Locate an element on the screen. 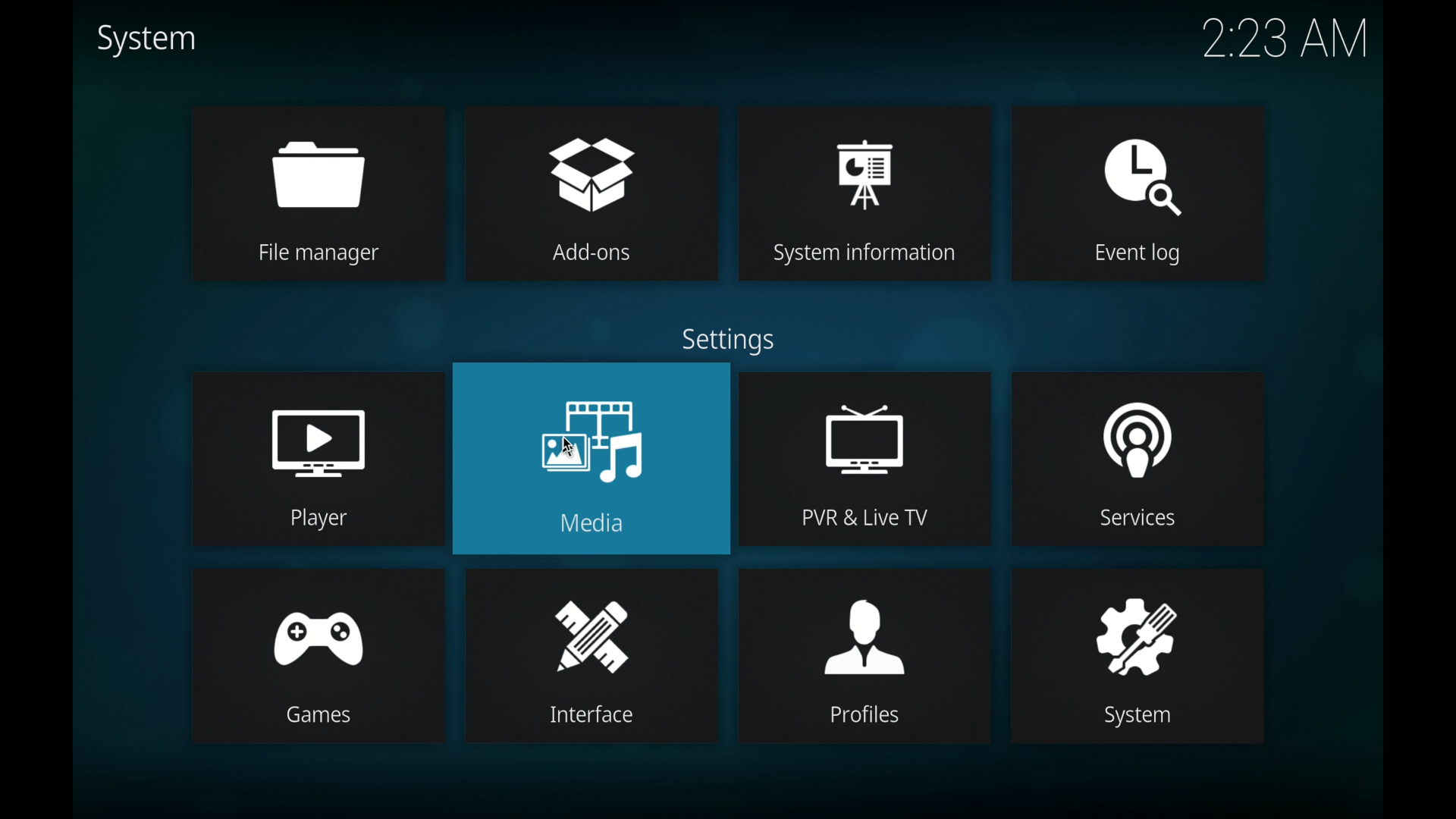 The height and width of the screenshot is (819, 1456). System is located at coordinates (1140, 717).